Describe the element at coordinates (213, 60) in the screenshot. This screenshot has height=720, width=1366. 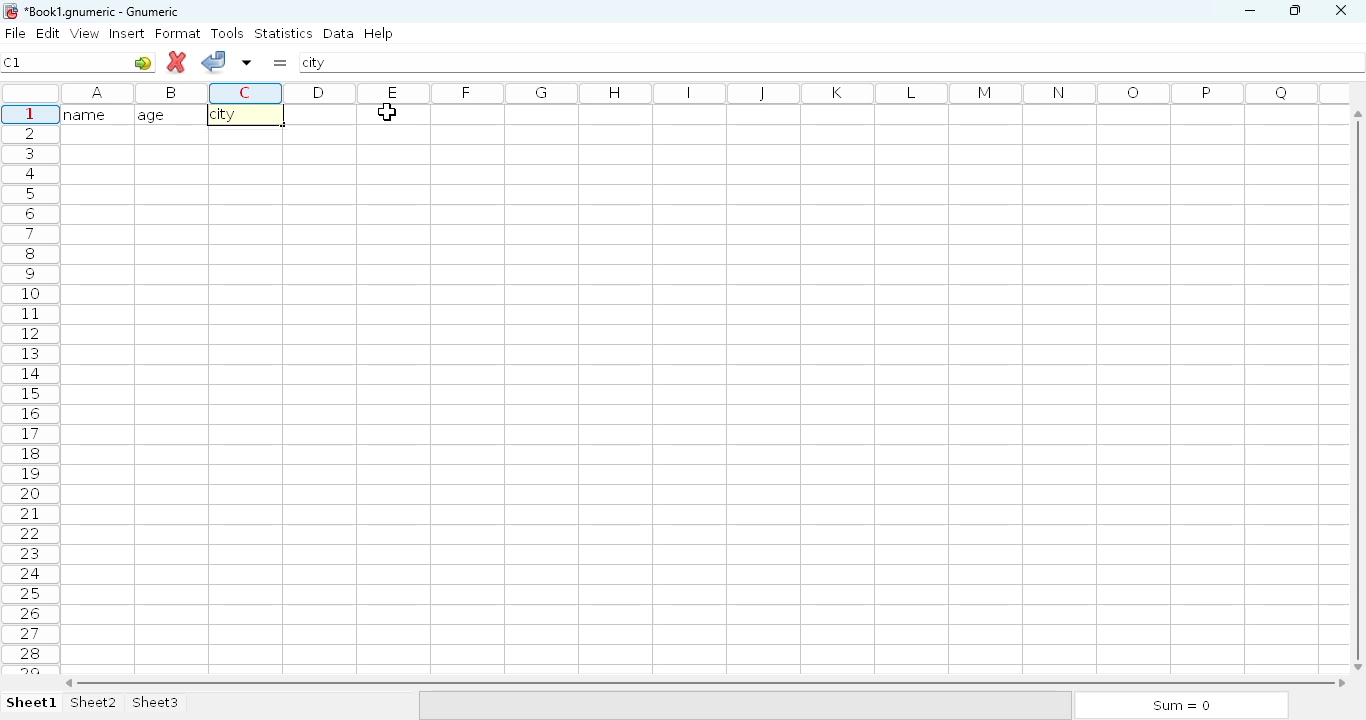
I see `accept change` at that location.